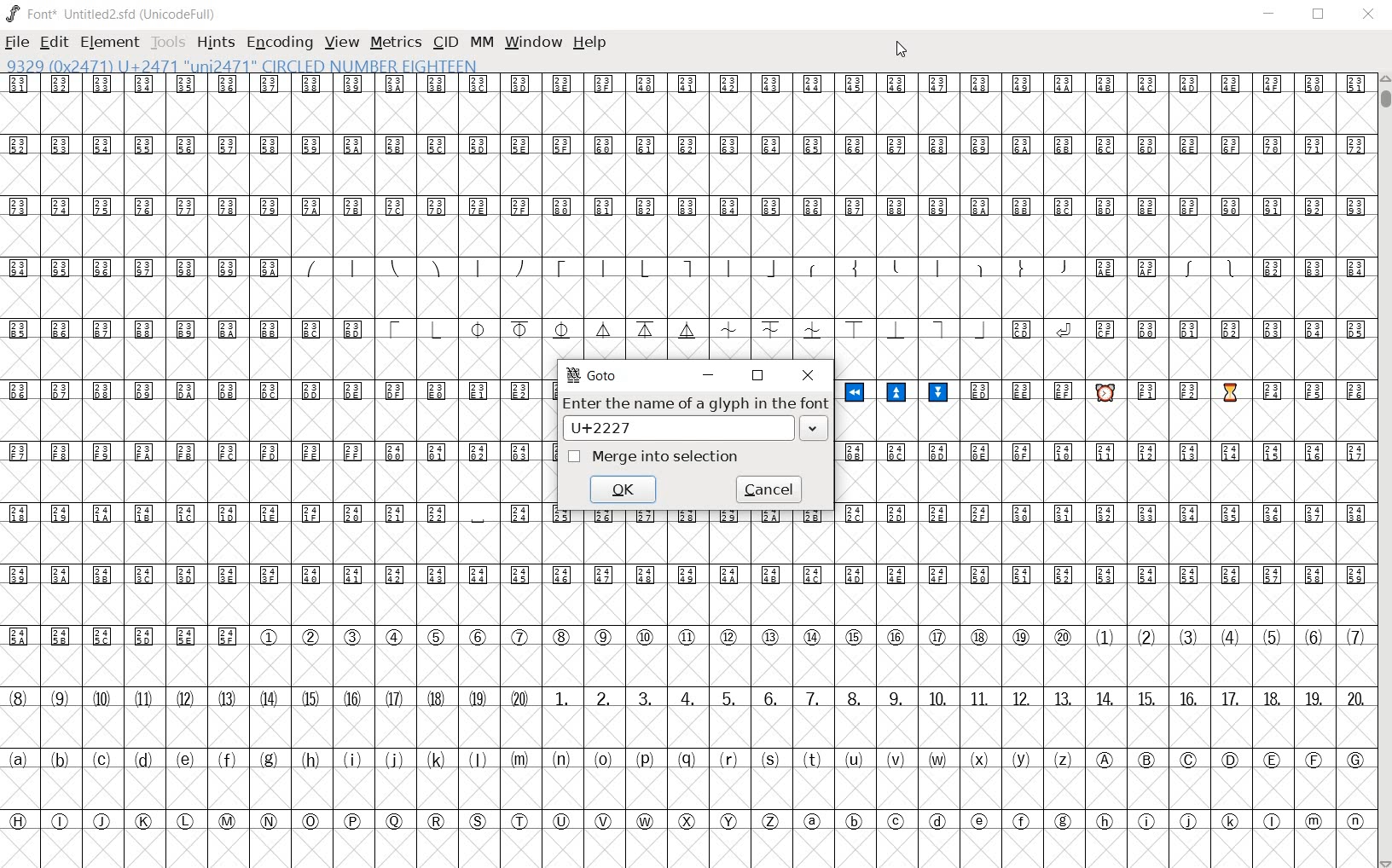 Image resolution: width=1392 pixels, height=868 pixels. Describe the element at coordinates (445, 41) in the screenshot. I see `cid` at that location.